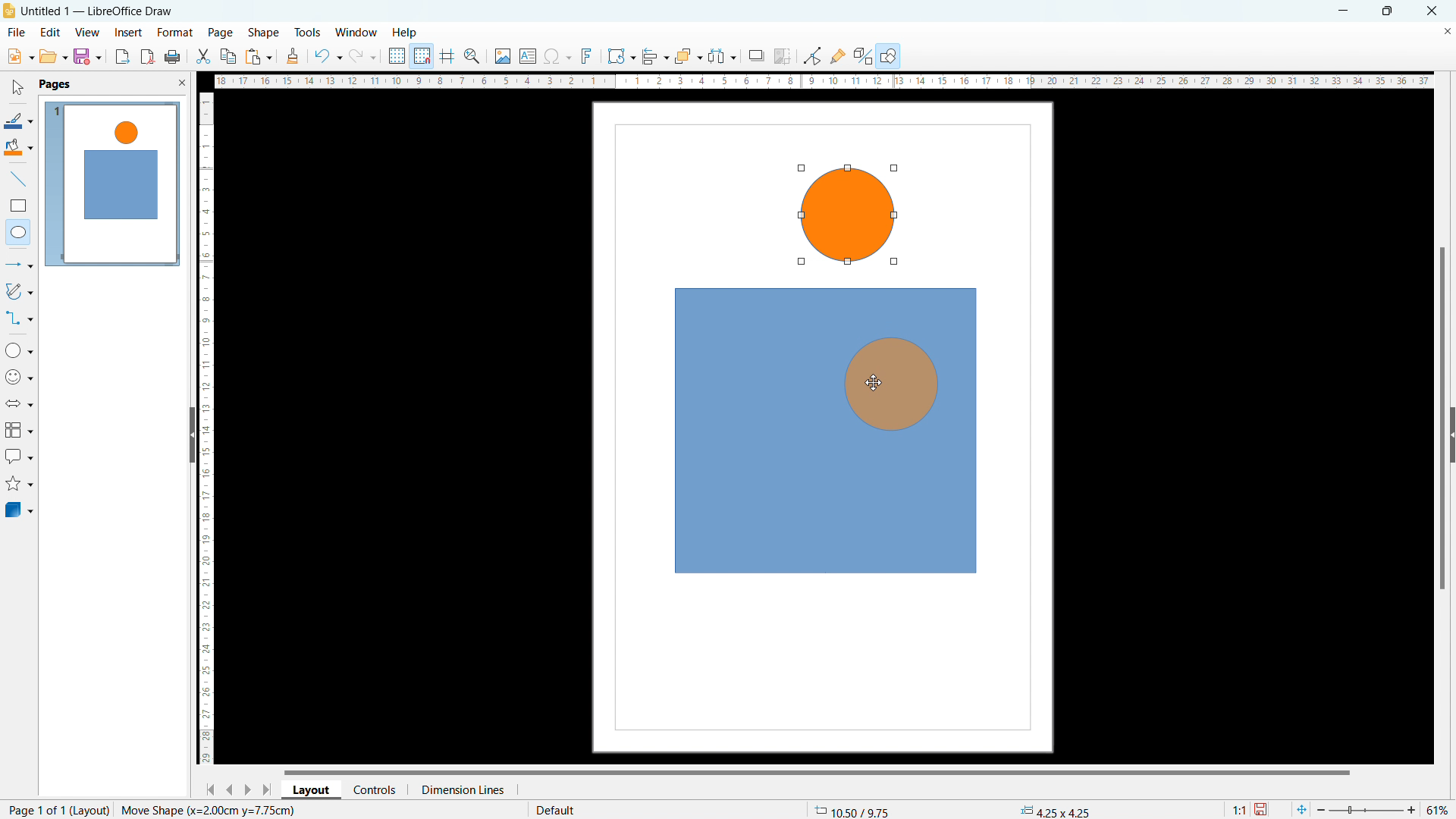 The height and width of the screenshot is (819, 1456). I want to click on go to next page, so click(247, 789).